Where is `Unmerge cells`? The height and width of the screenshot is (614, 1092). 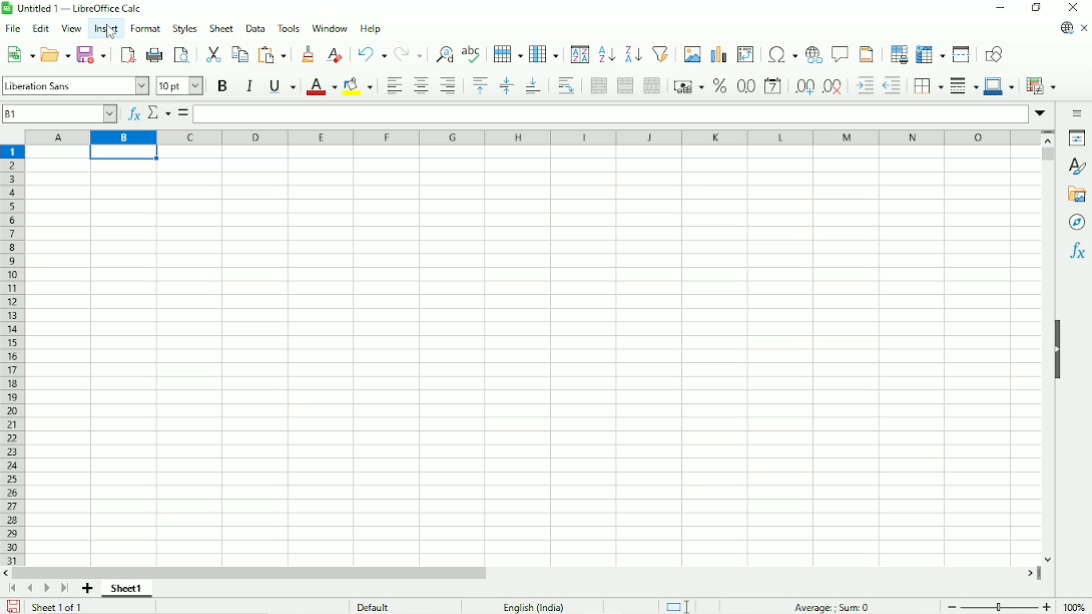 Unmerge cells is located at coordinates (652, 86).